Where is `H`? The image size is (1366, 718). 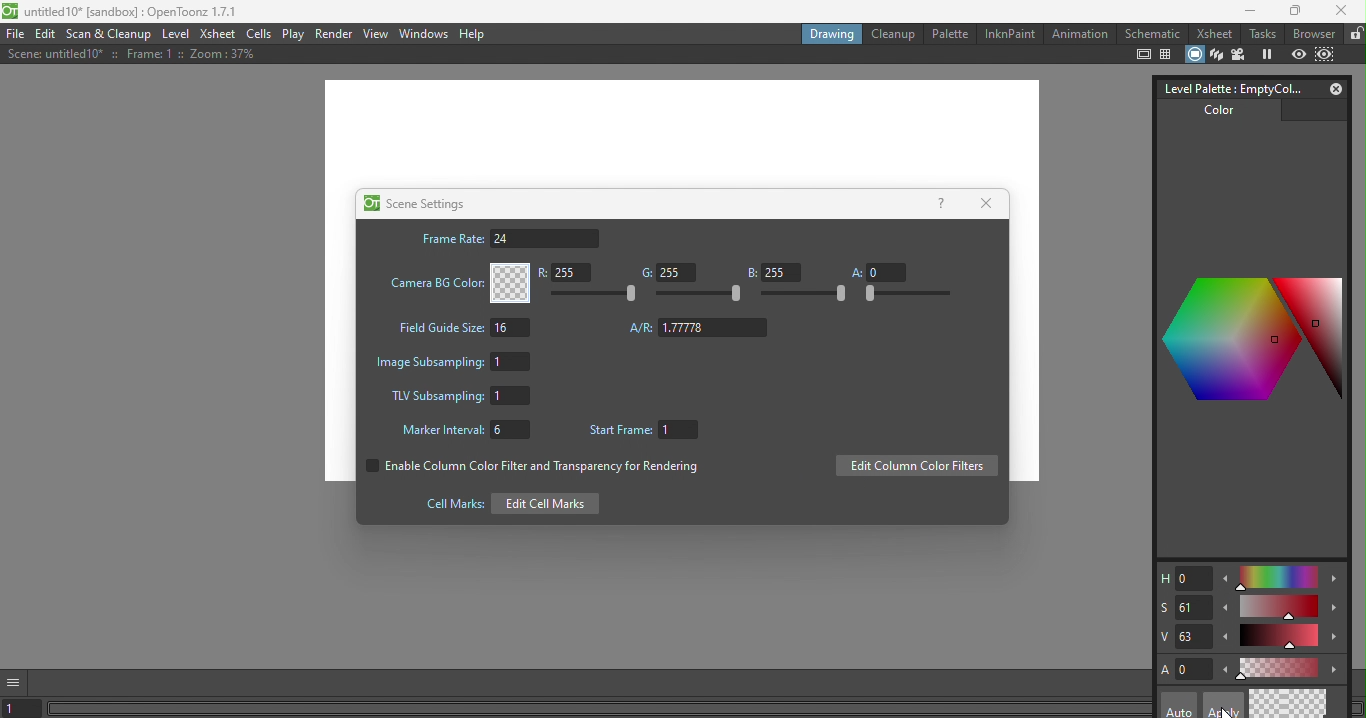 H is located at coordinates (1183, 579).